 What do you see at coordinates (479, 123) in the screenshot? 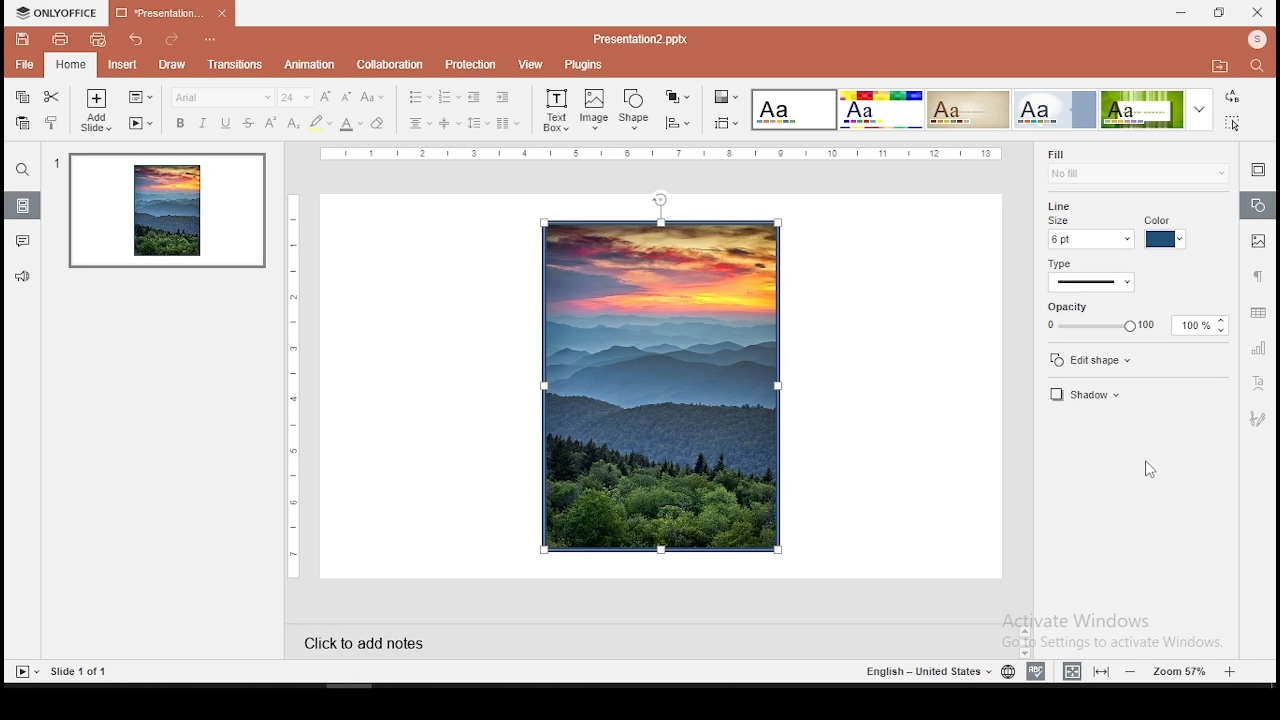
I see `spacing` at bounding box center [479, 123].